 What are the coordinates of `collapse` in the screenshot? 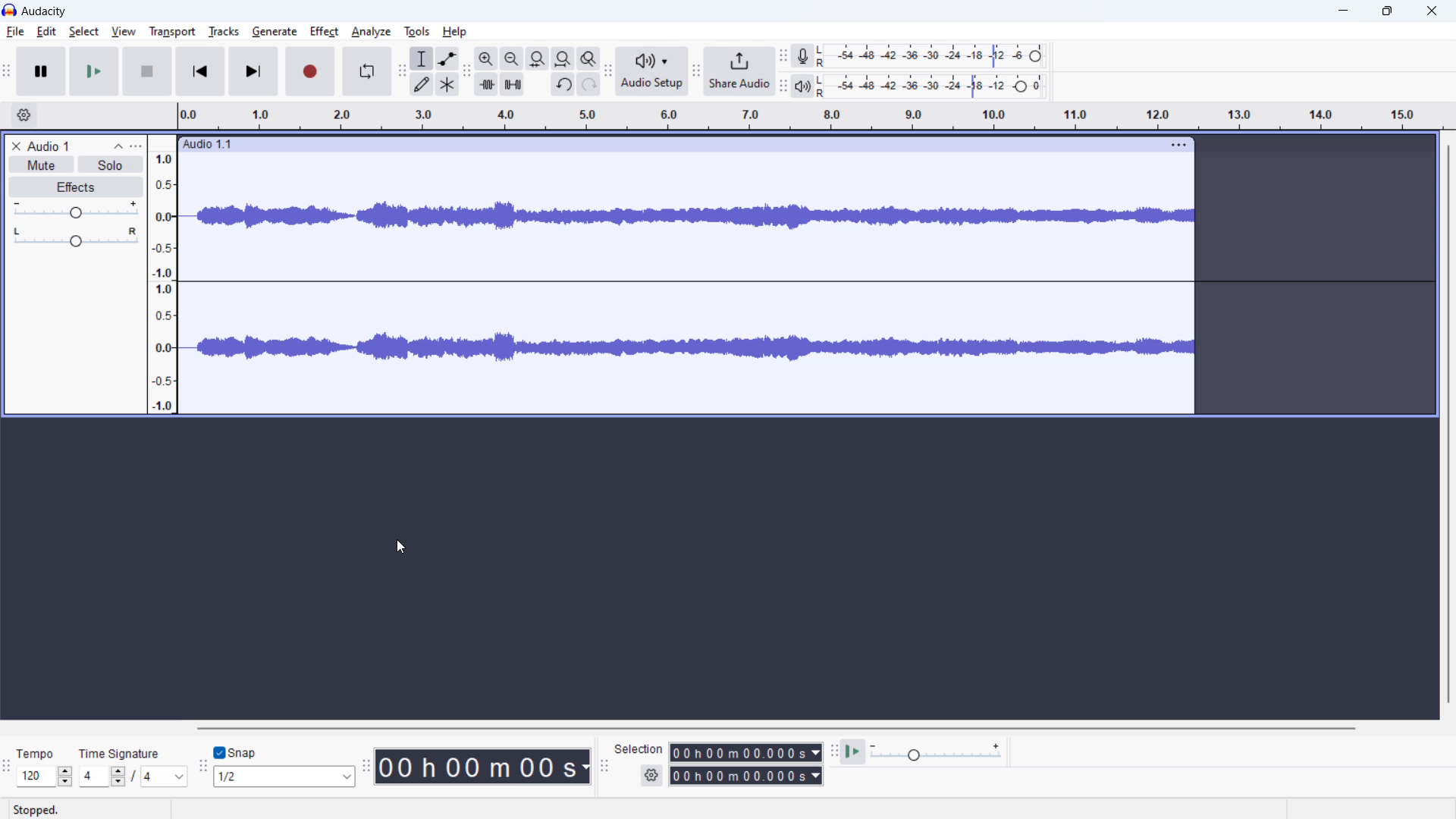 It's located at (116, 146).